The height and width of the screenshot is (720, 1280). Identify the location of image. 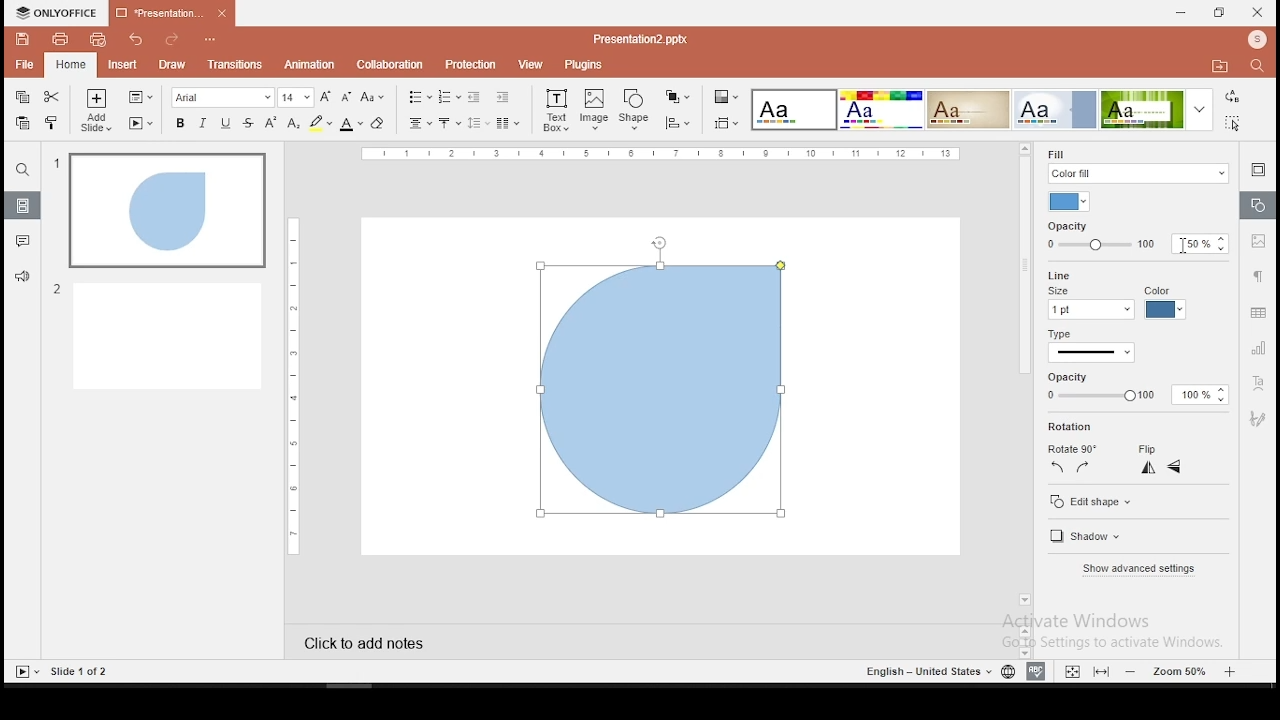
(595, 110).